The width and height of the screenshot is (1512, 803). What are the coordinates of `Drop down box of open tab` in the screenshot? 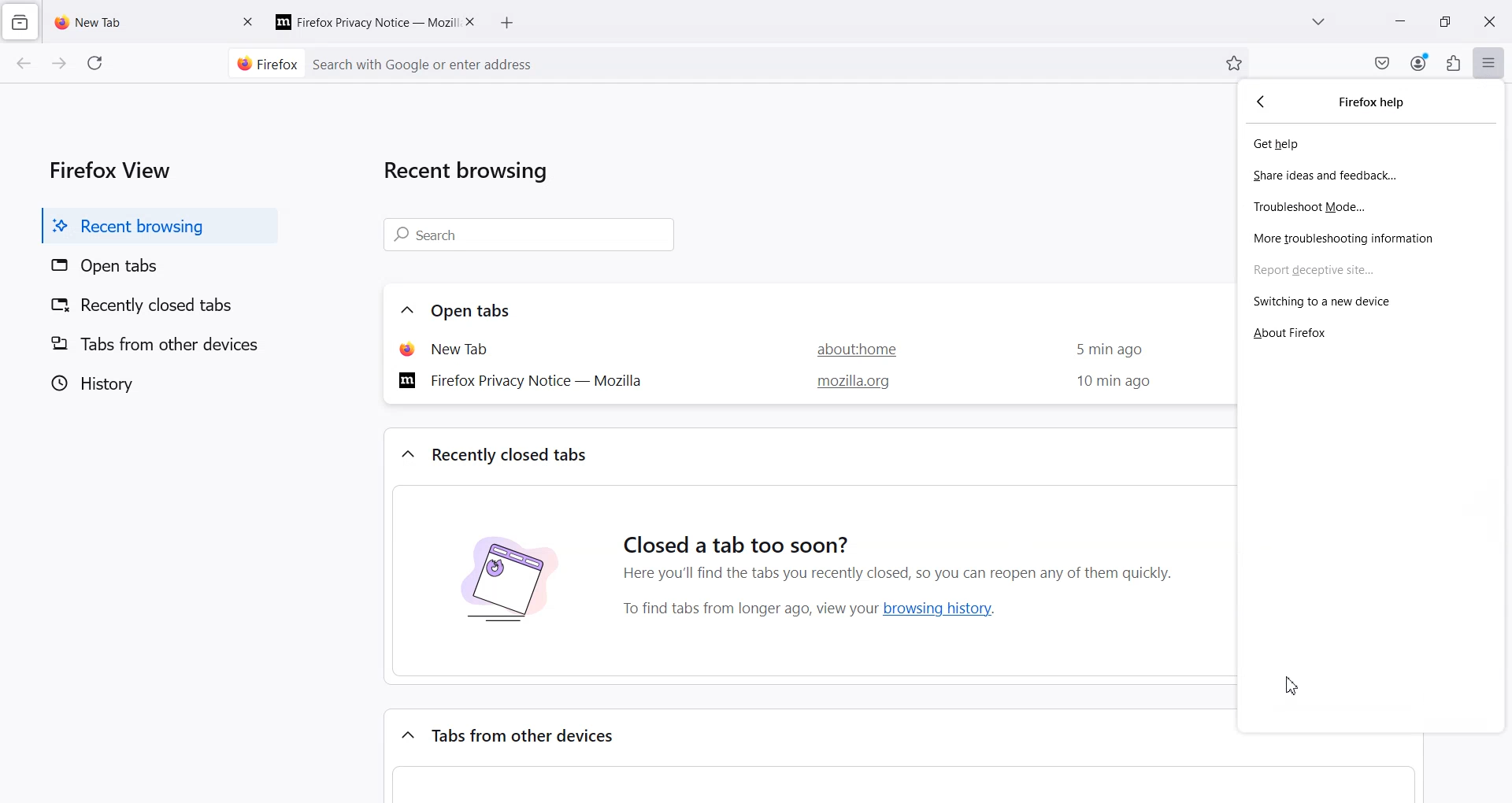 It's located at (403, 311).